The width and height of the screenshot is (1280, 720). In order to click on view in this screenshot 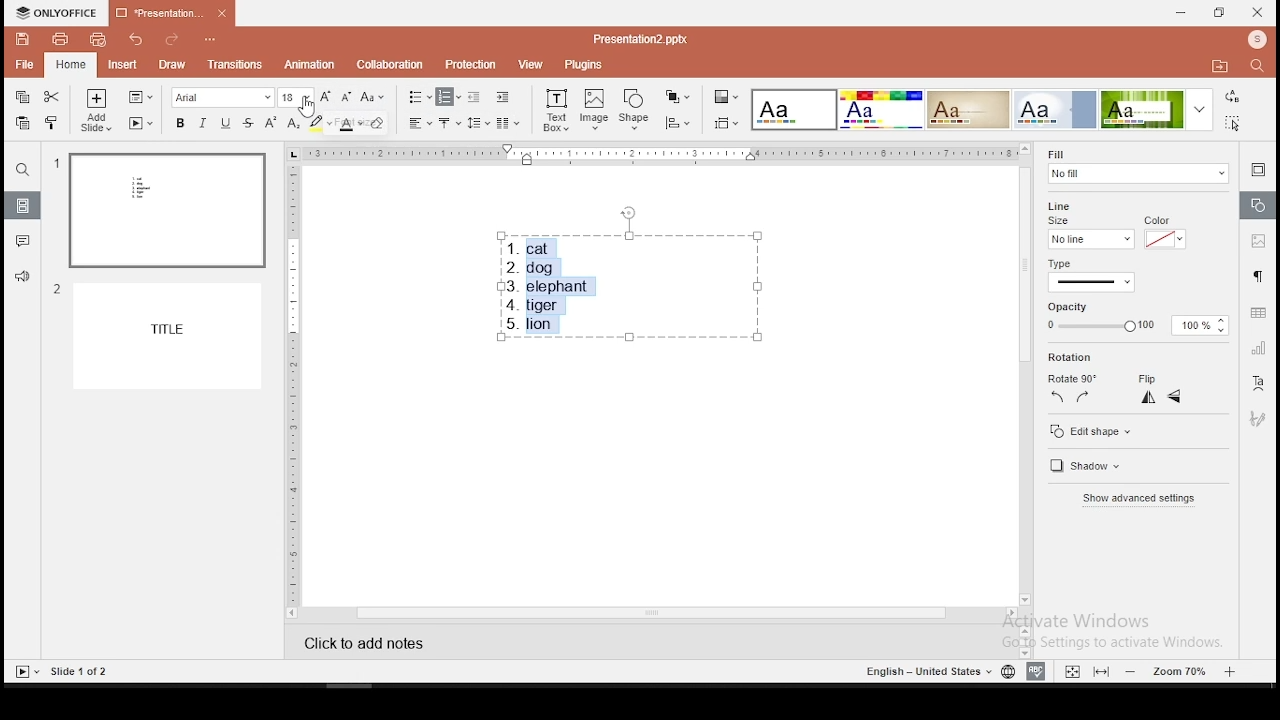, I will do `click(527, 65)`.